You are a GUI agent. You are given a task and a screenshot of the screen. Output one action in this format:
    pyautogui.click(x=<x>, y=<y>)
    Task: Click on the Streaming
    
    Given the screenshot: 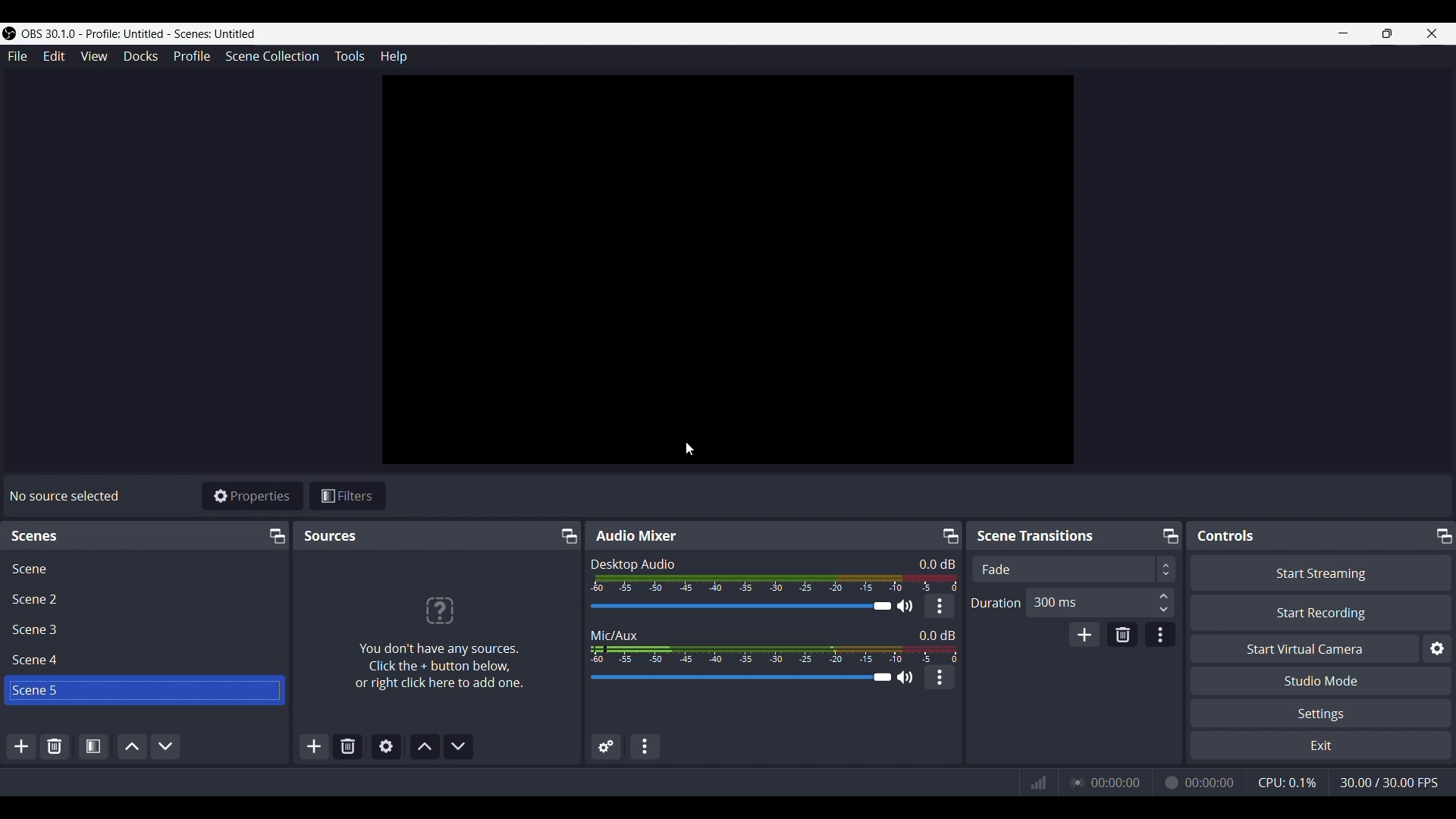 What is the action you would take?
    pyautogui.click(x=1076, y=782)
    